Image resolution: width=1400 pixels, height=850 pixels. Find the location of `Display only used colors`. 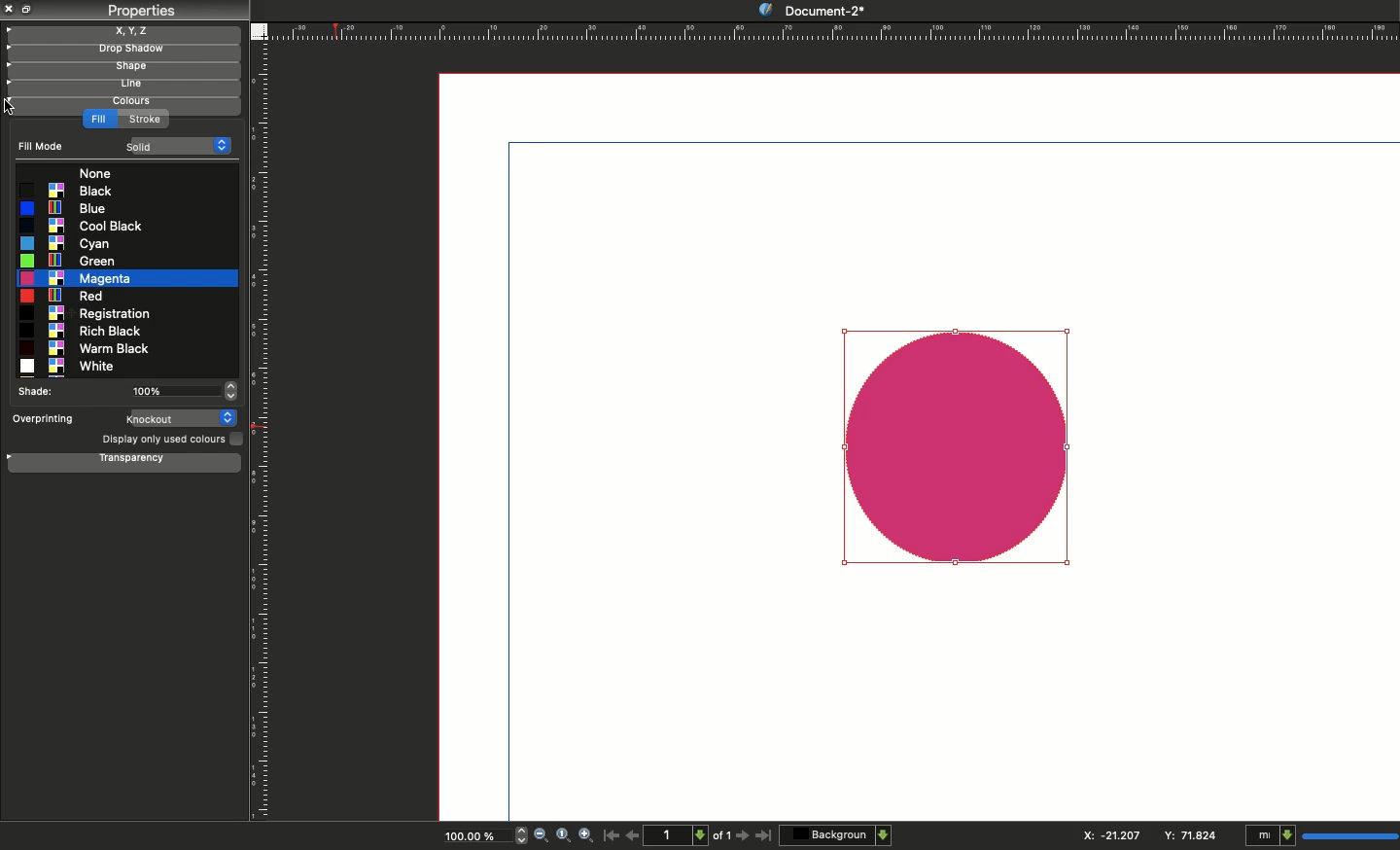

Display only used colors is located at coordinates (172, 442).